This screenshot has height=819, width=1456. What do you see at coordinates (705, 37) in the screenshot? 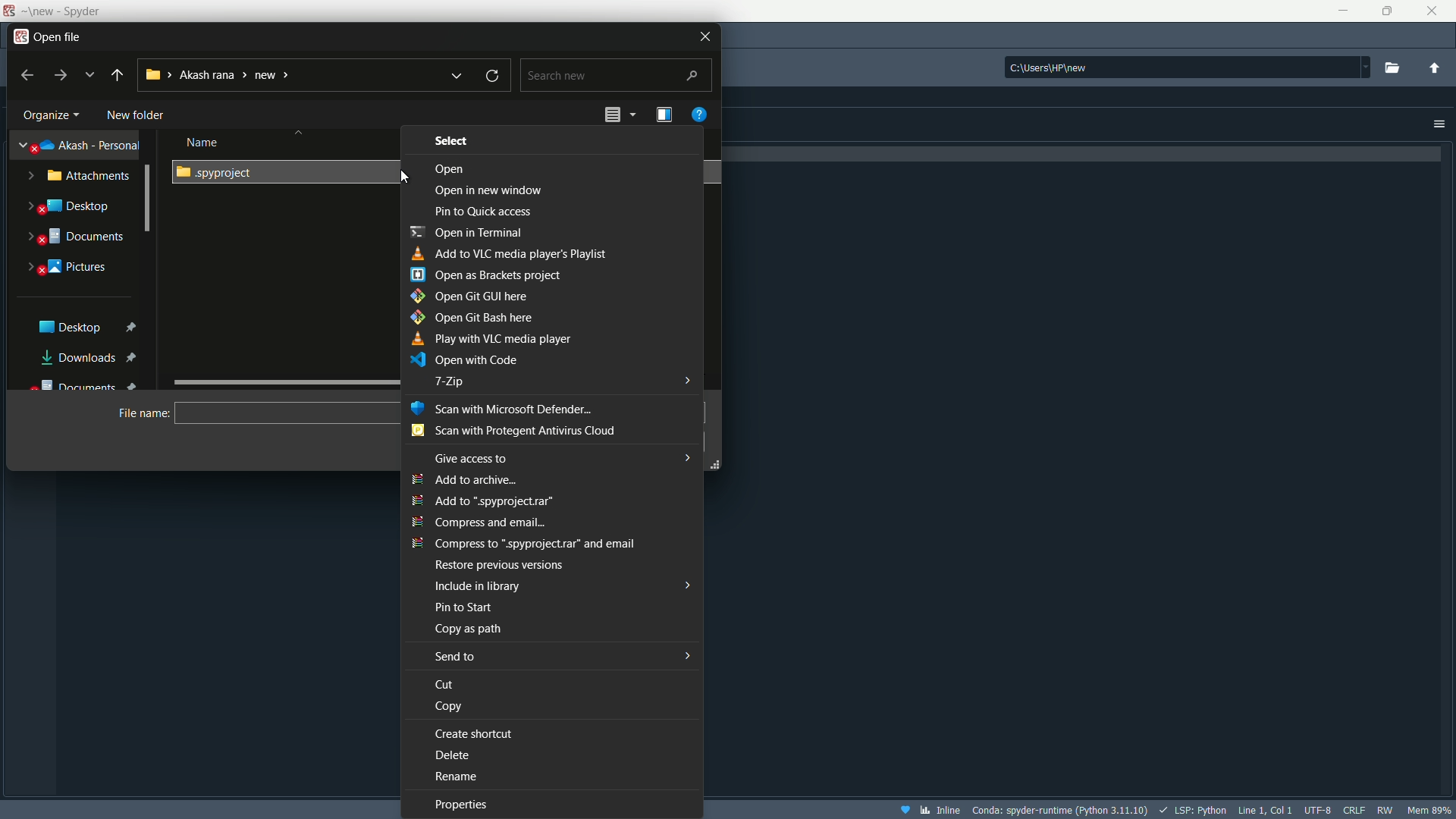
I see `Close file` at bounding box center [705, 37].